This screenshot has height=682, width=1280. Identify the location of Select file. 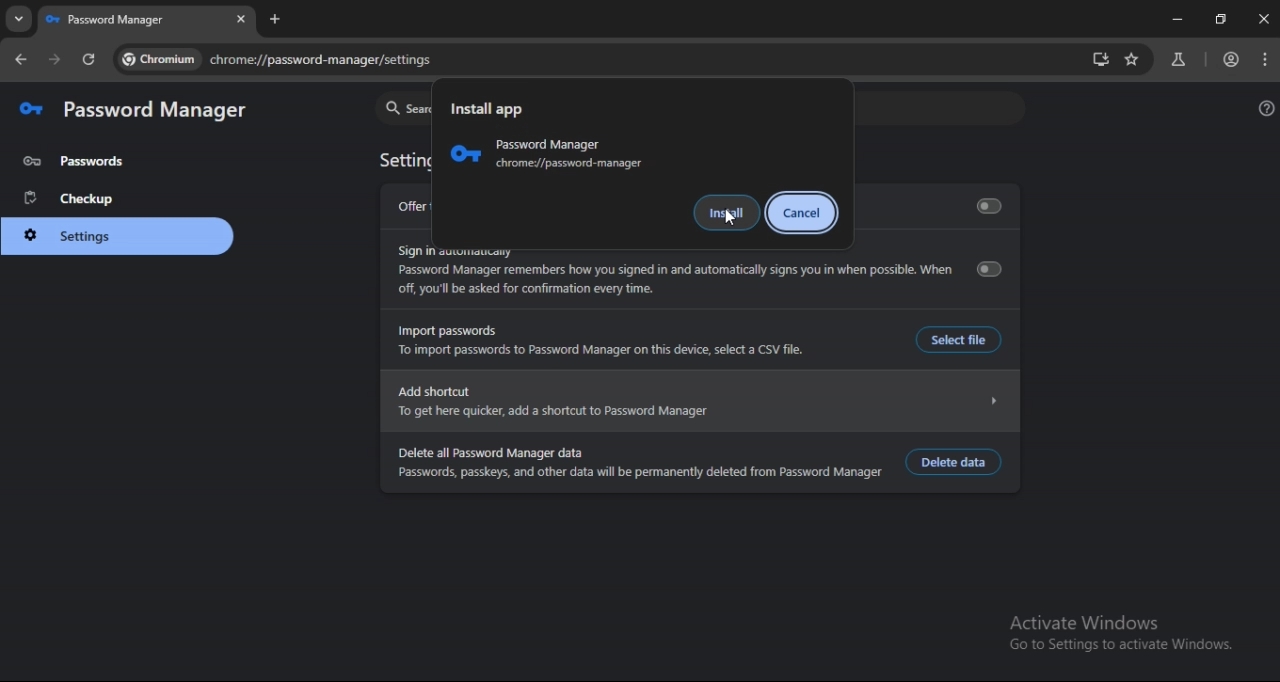
(957, 340).